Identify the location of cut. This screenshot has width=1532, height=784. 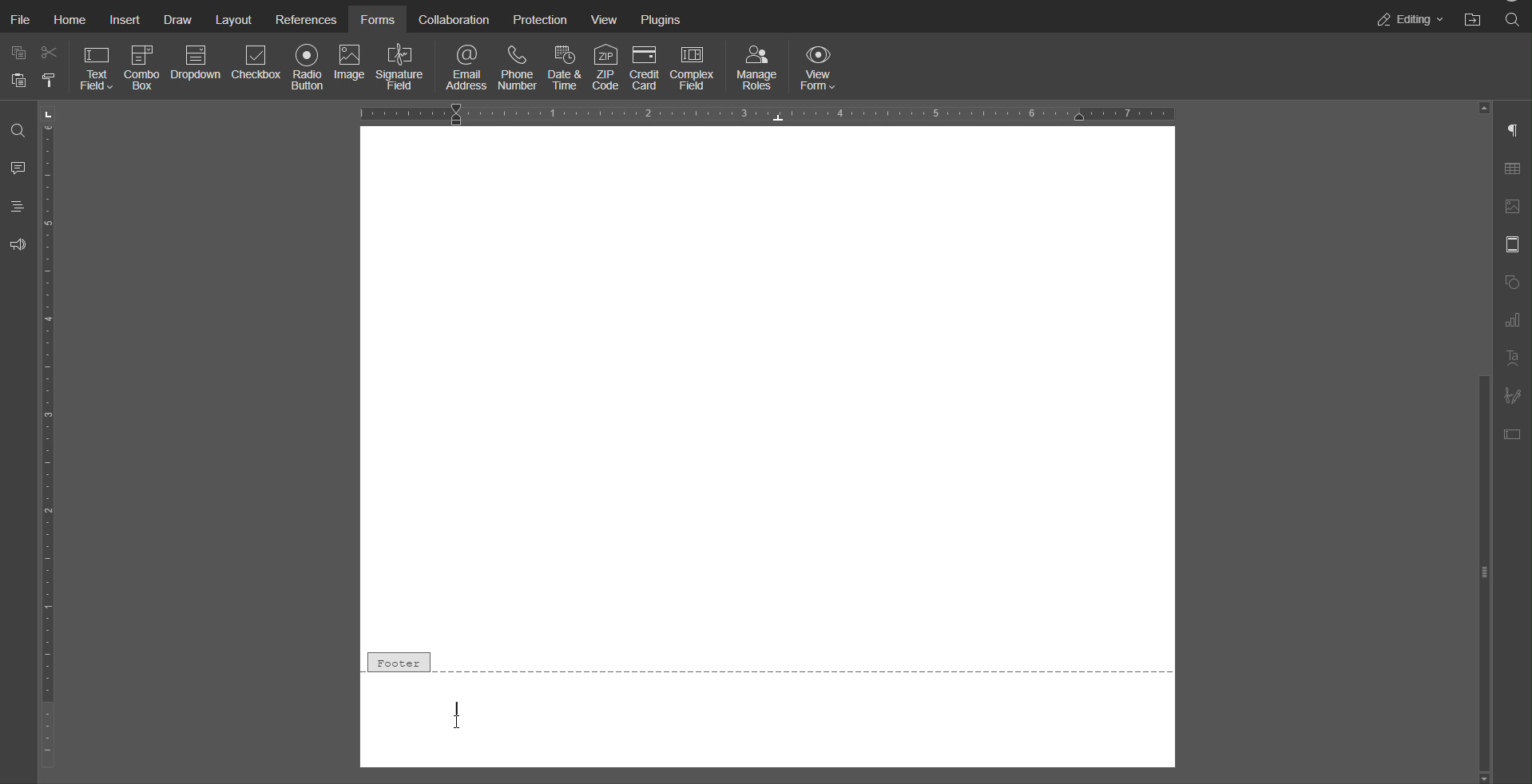
(50, 56).